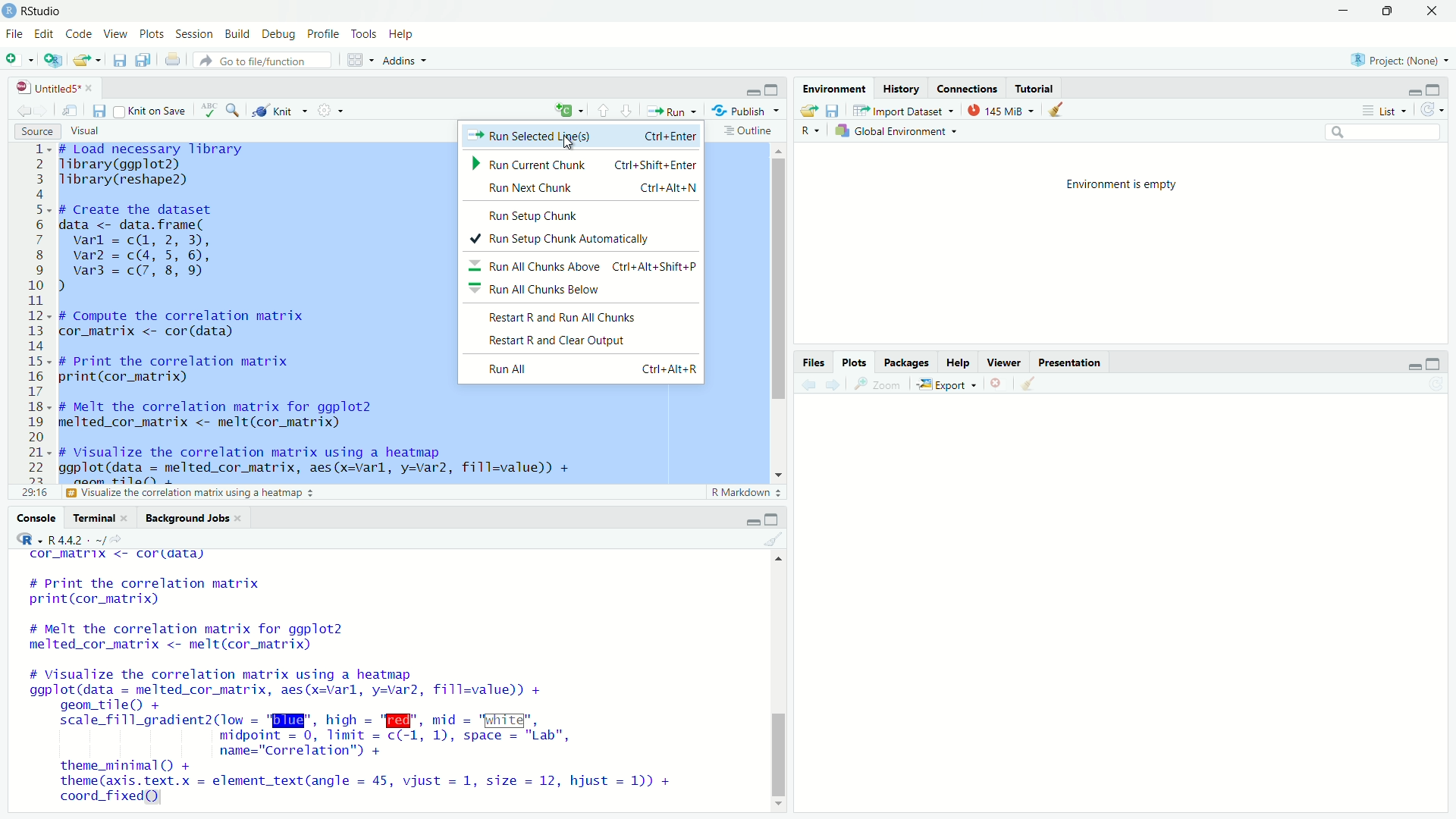 Image resolution: width=1456 pixels, height=819 pixels. What do you see at coordinates (959, 362) in the screenshot?
I see `help` at bounding box center [959, 362].